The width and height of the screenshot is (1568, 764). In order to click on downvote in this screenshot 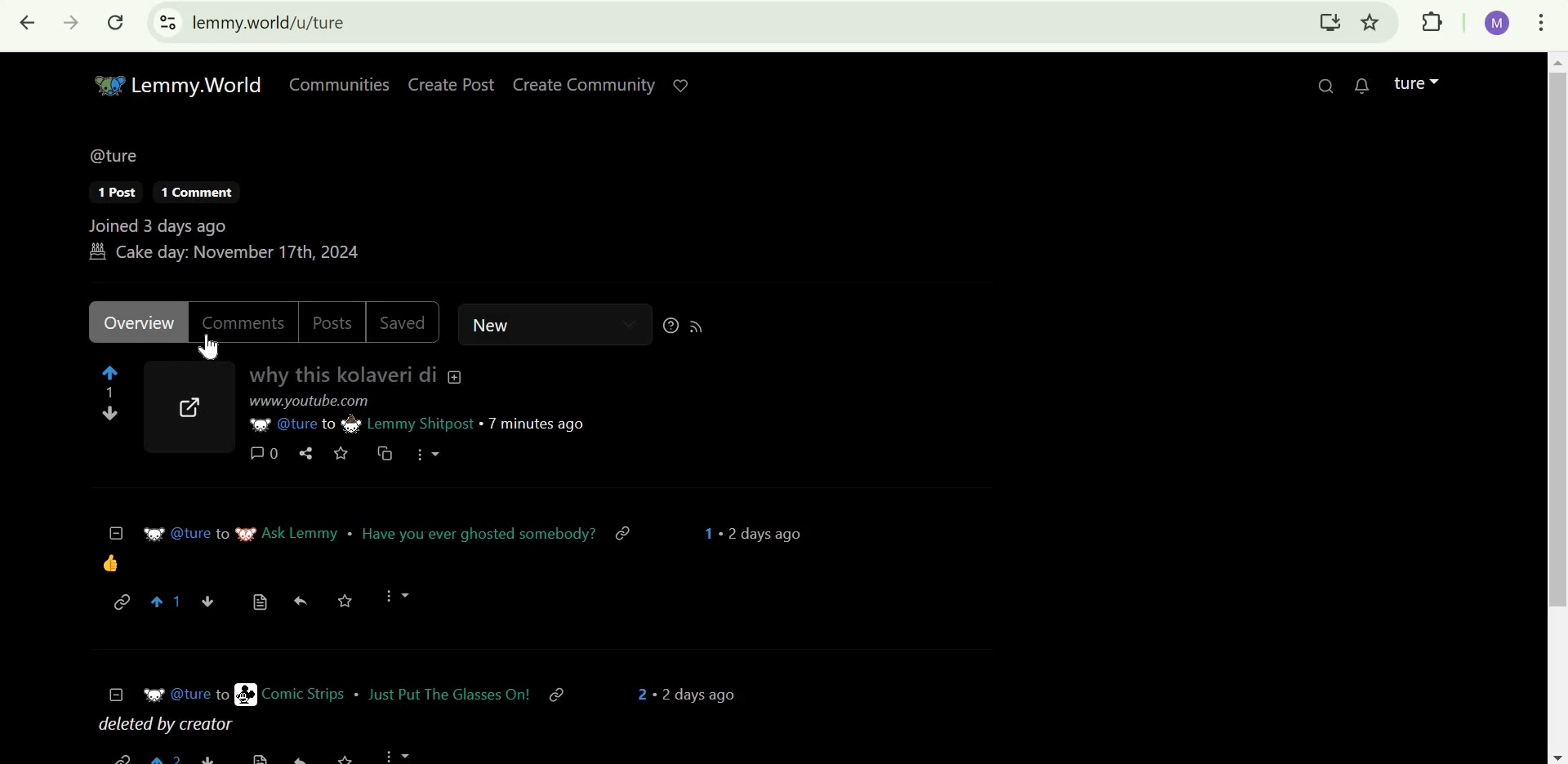, I will do `click(212, 602)`.